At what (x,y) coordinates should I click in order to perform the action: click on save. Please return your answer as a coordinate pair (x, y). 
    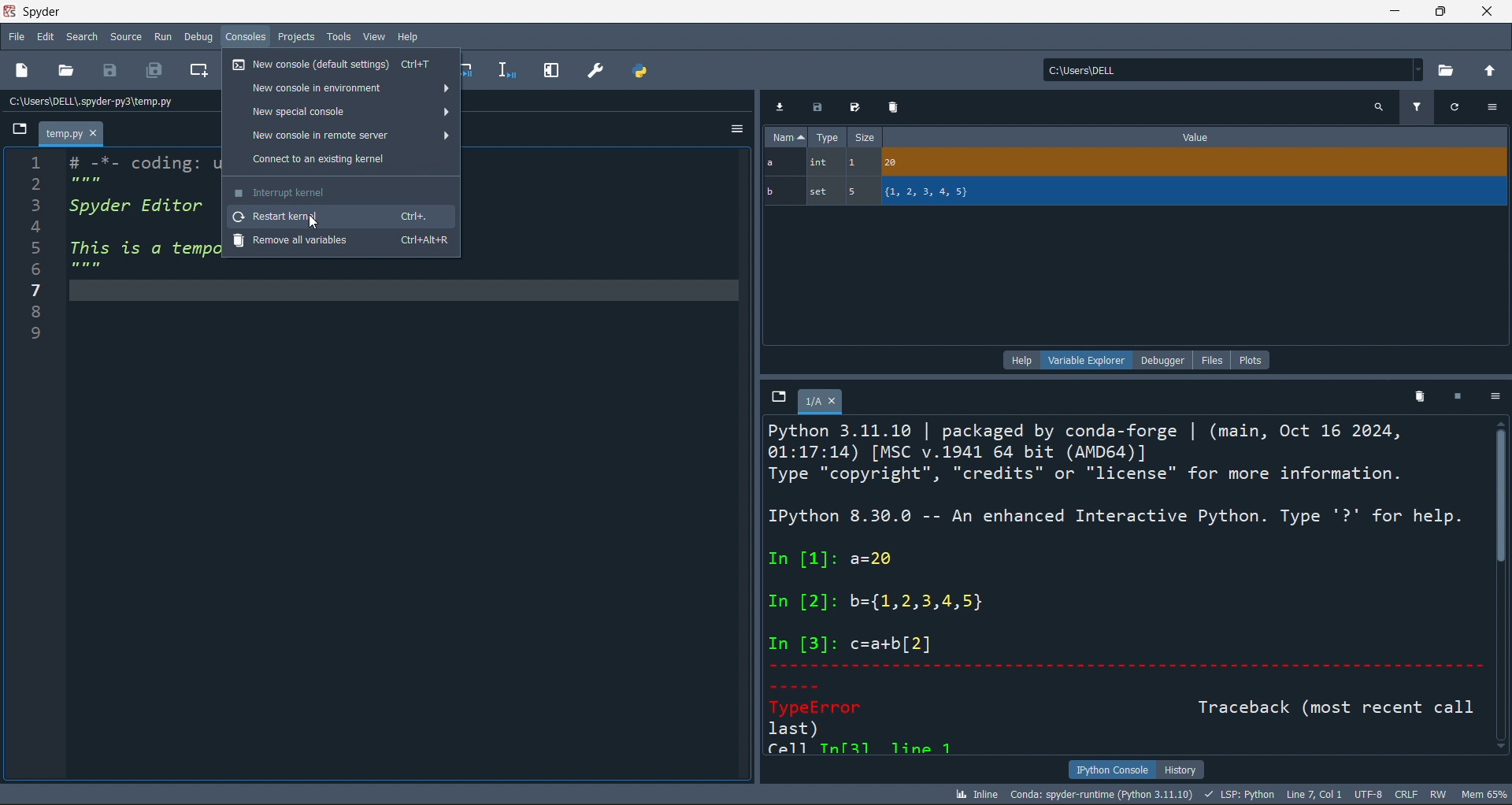
    Looking at the image, I should click on (855, 109).